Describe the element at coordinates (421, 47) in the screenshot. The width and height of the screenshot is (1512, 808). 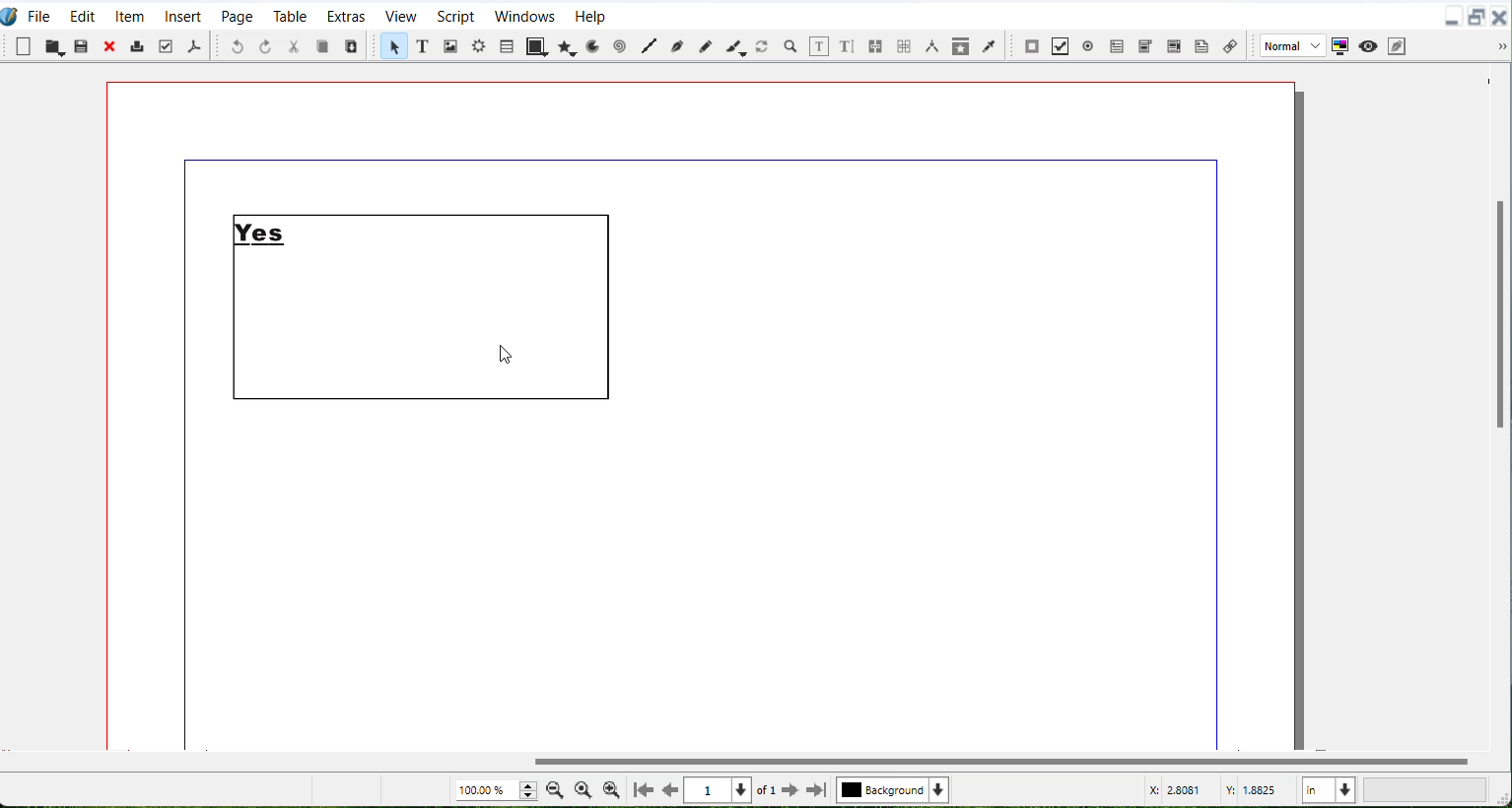
I see `Text Frame` at that location.